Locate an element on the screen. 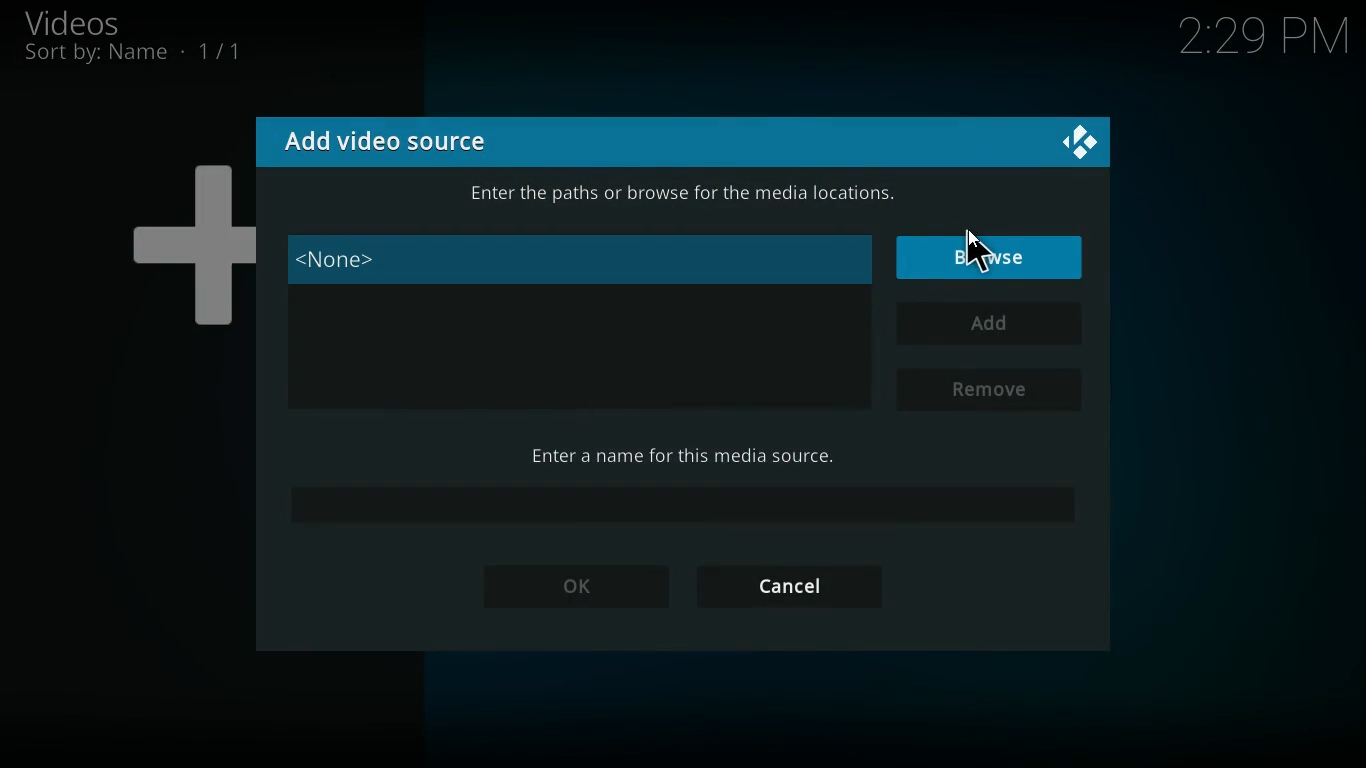 Image resolution: width=1366 pixels, height=768 pixels. Cursor is located at coordinates (974, 250).